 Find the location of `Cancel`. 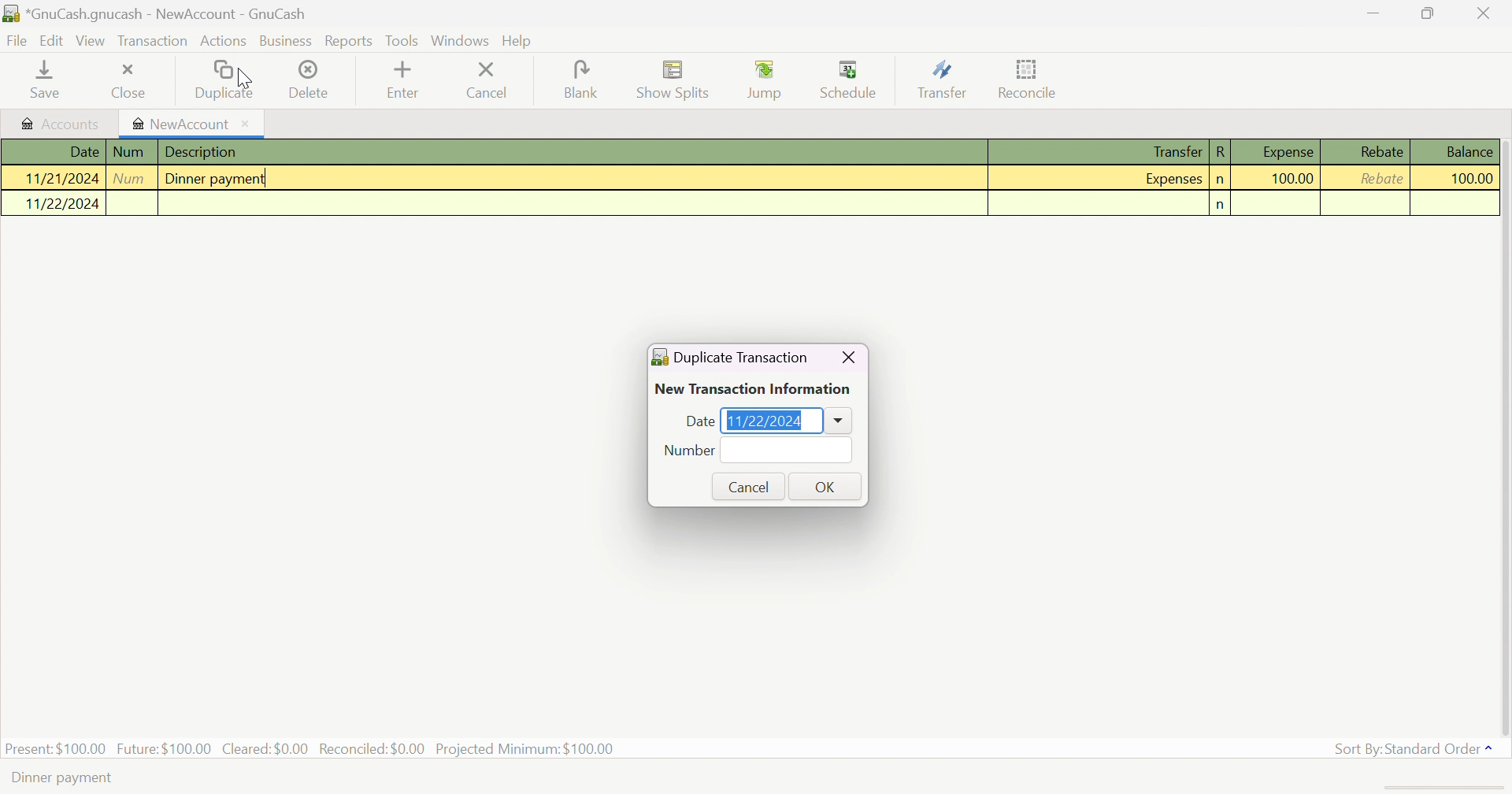

Cancel is located at coordinates (486, 80).